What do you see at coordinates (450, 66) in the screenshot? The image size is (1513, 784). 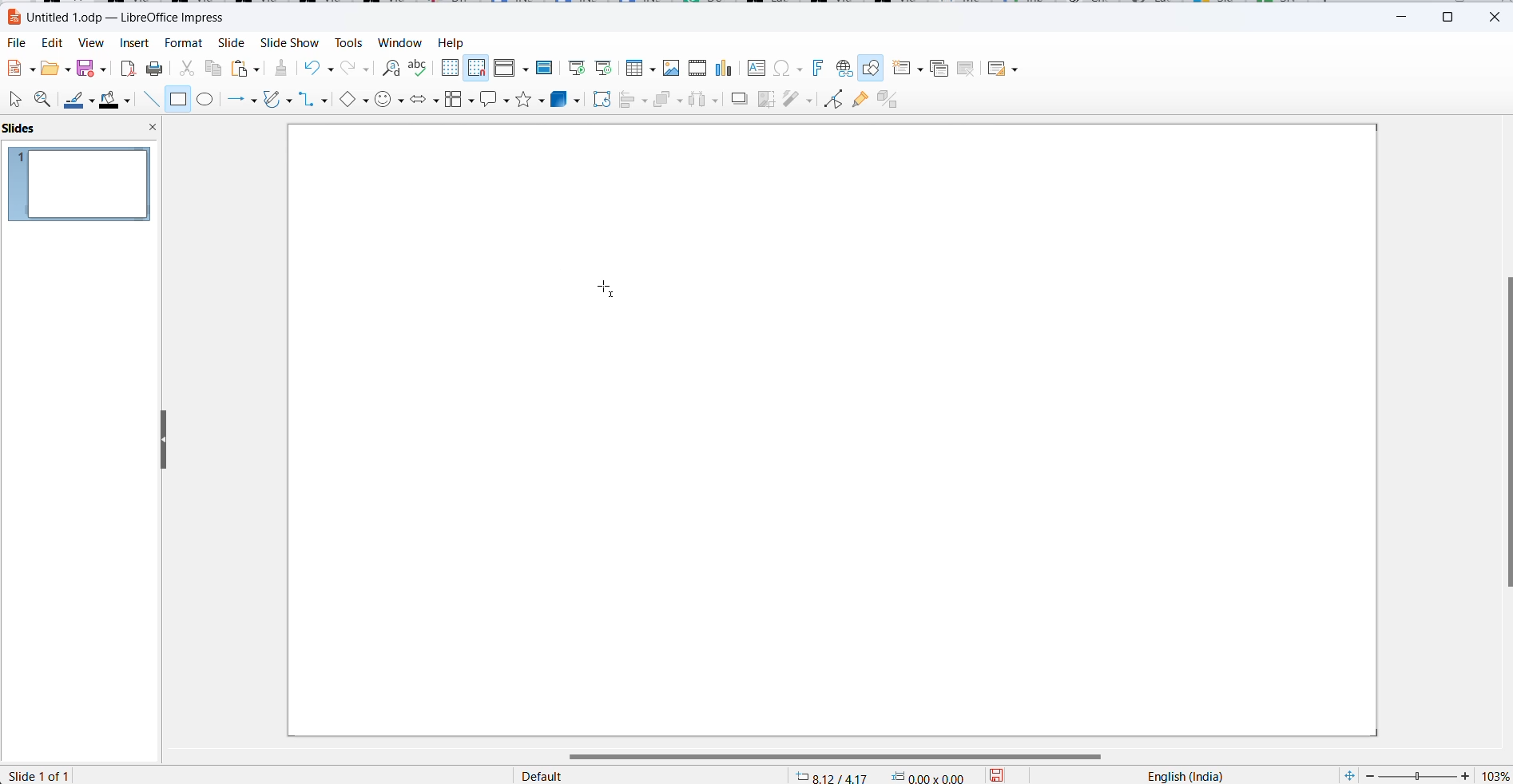 I see `Display grid` at bounding box center [450, 66].